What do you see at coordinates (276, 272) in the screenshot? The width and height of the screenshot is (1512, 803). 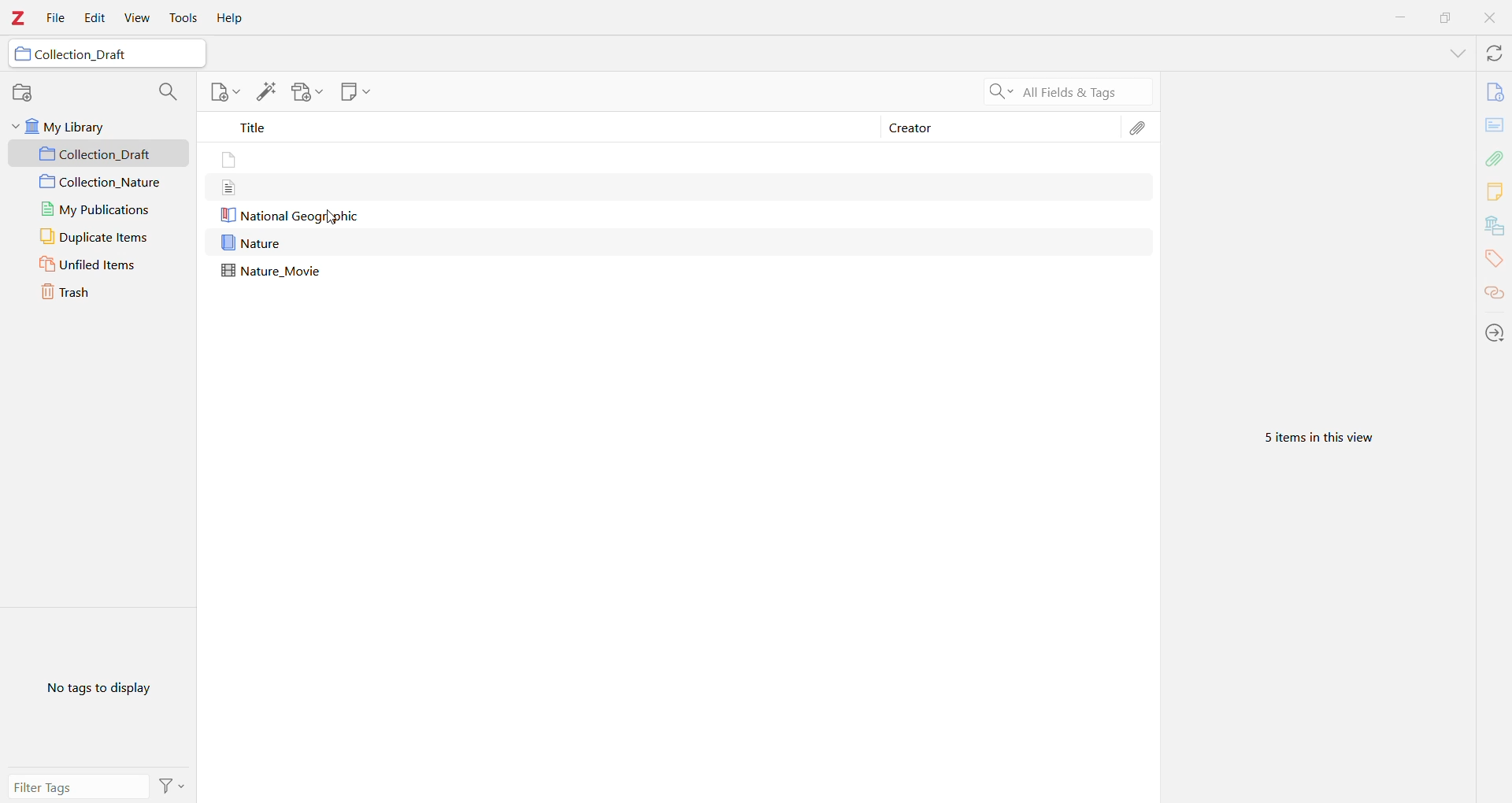 I see `nature_movie` at bounding box center [276, 272].